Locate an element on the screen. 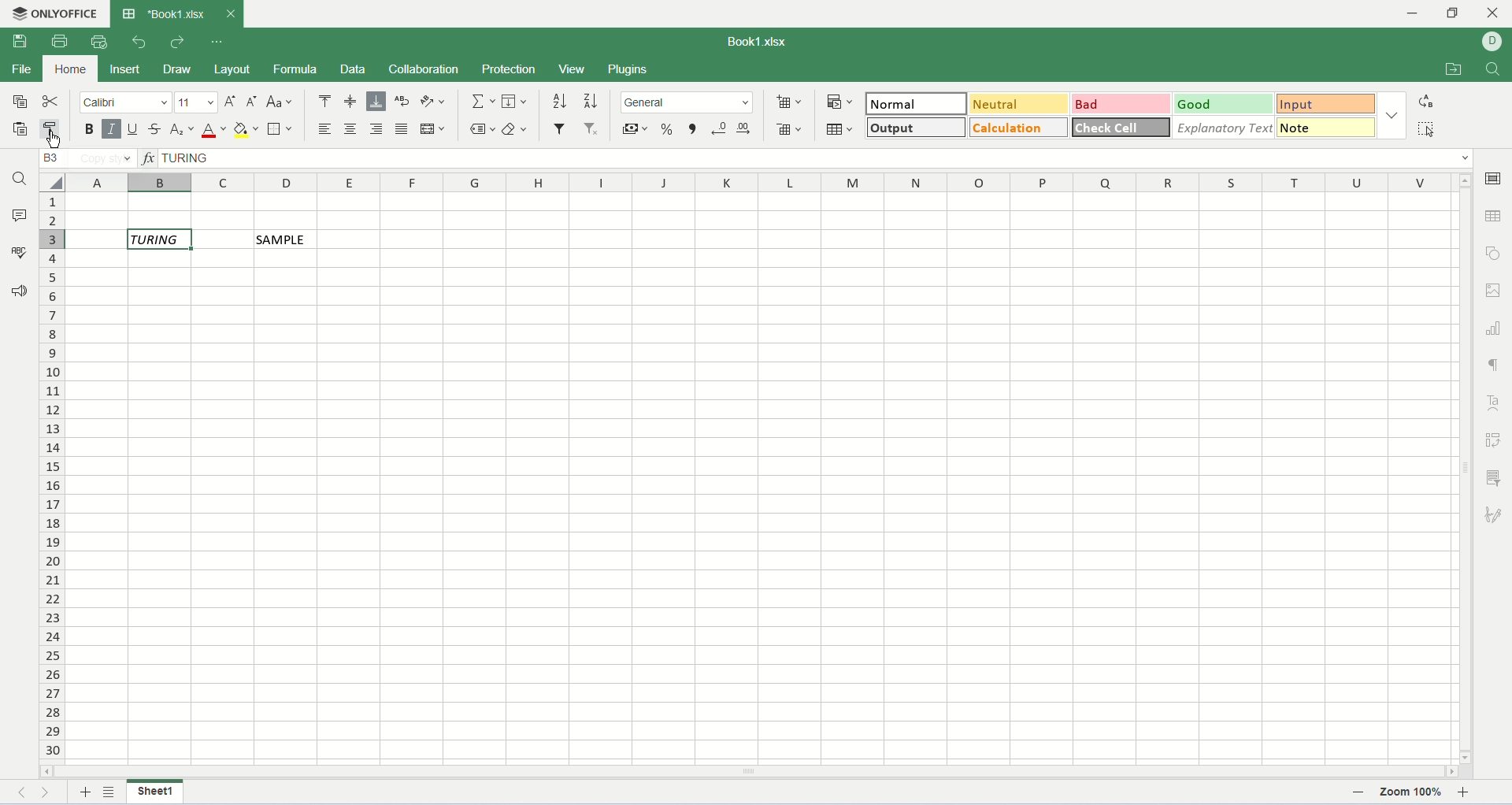 This screenshot has width=1512, height=805. list of sheets is located at coordinates (111, 792).